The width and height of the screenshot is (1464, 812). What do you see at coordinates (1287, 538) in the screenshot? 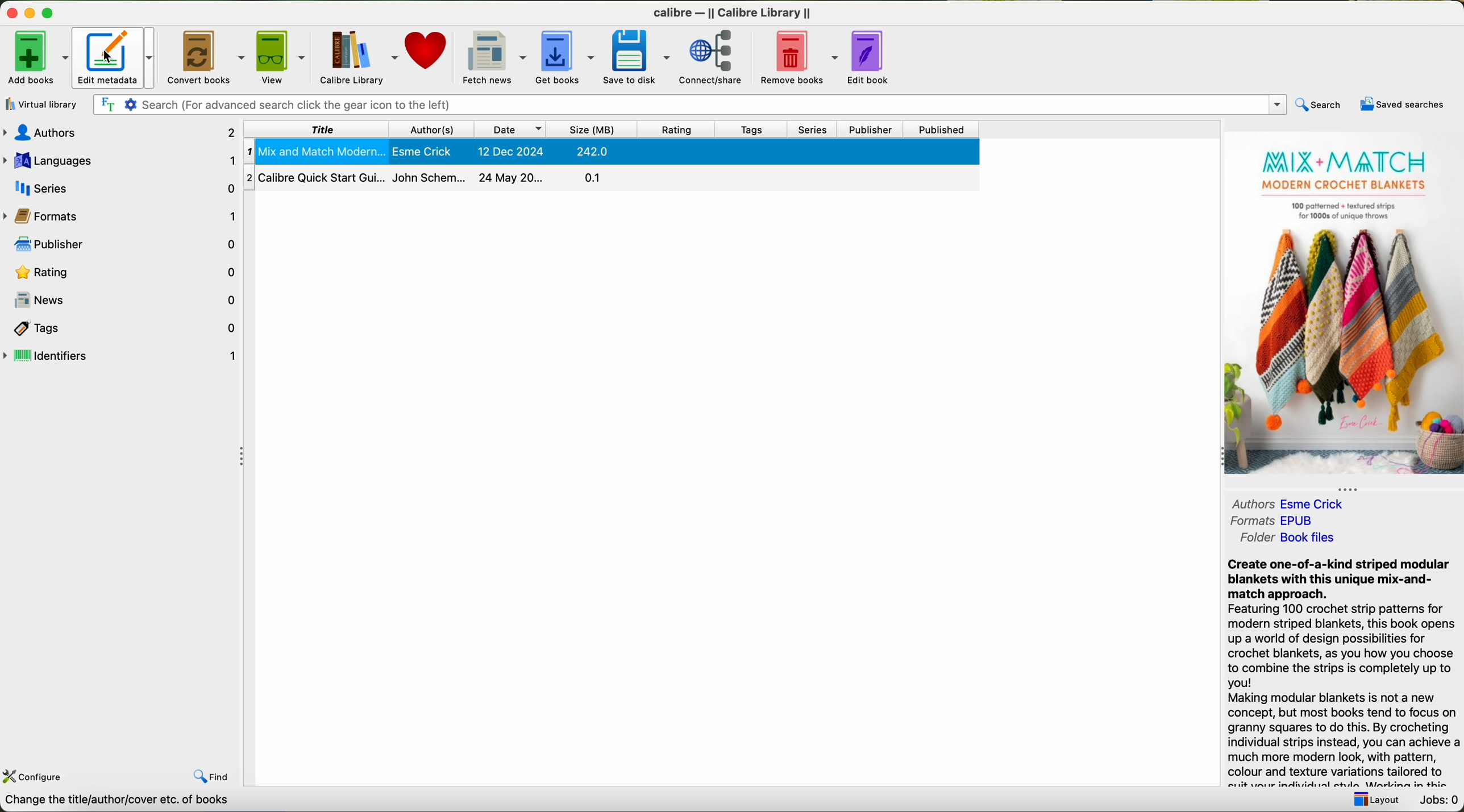
I see `folder` at bounding box center [1287, 538].